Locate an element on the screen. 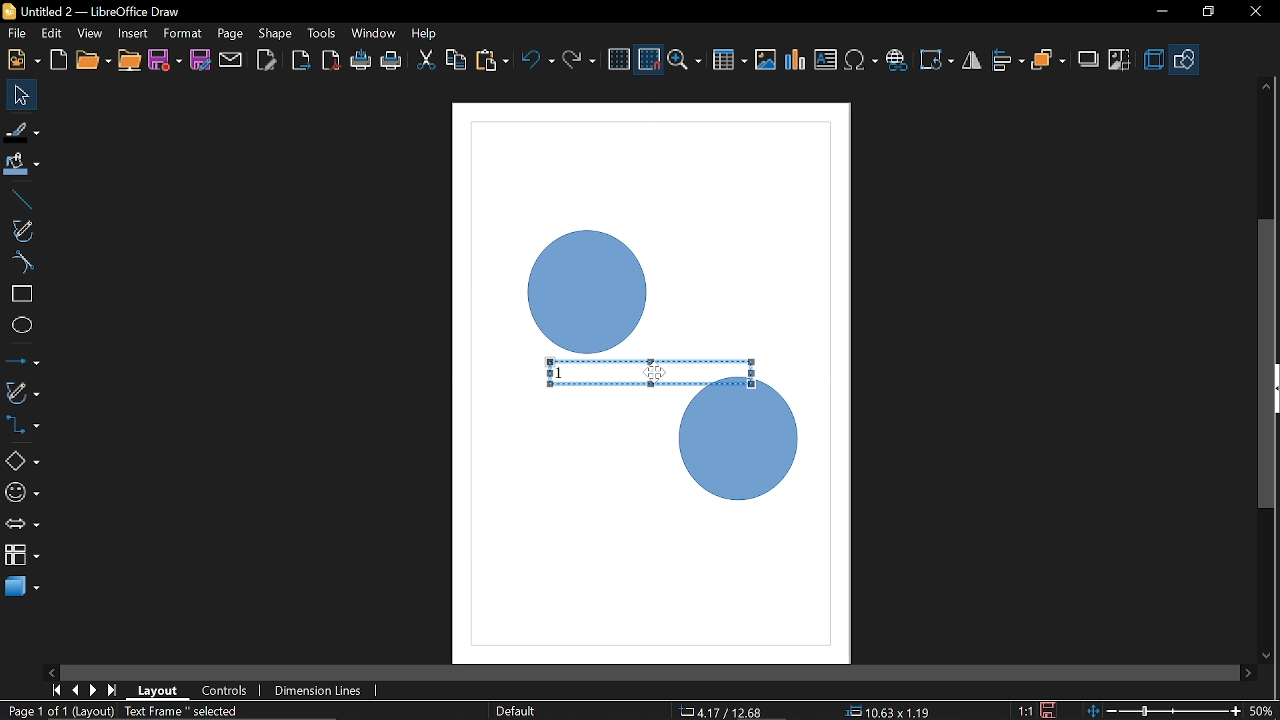 Image resolution: width=1280 pixels, height=720 pixels. WIndow is located at coordinates (374, 33).